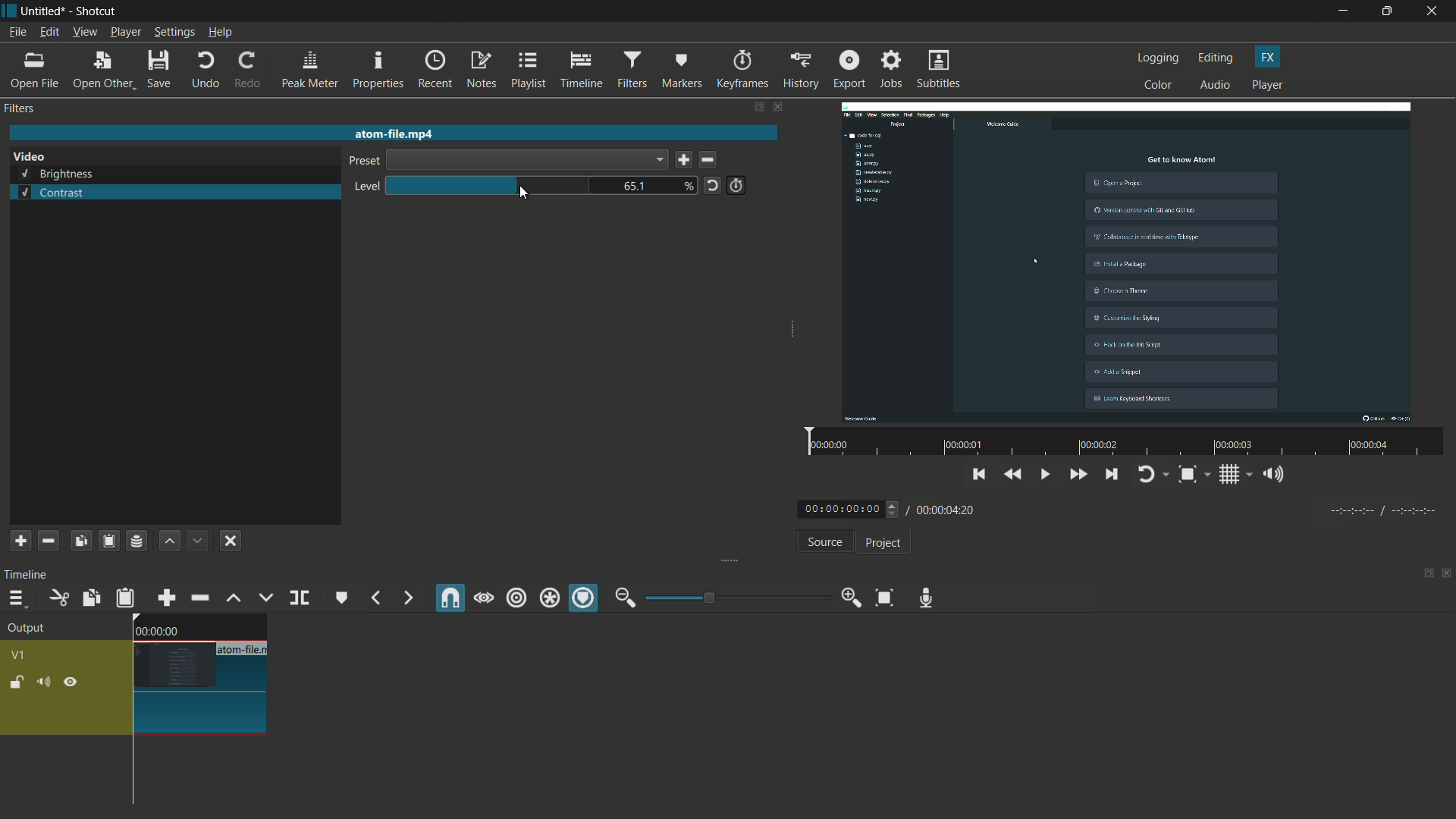 This screenshot has width=1456, height=819. Describe the element at coordinates (362, 162) in the screenshot. I see `preset` at that location.